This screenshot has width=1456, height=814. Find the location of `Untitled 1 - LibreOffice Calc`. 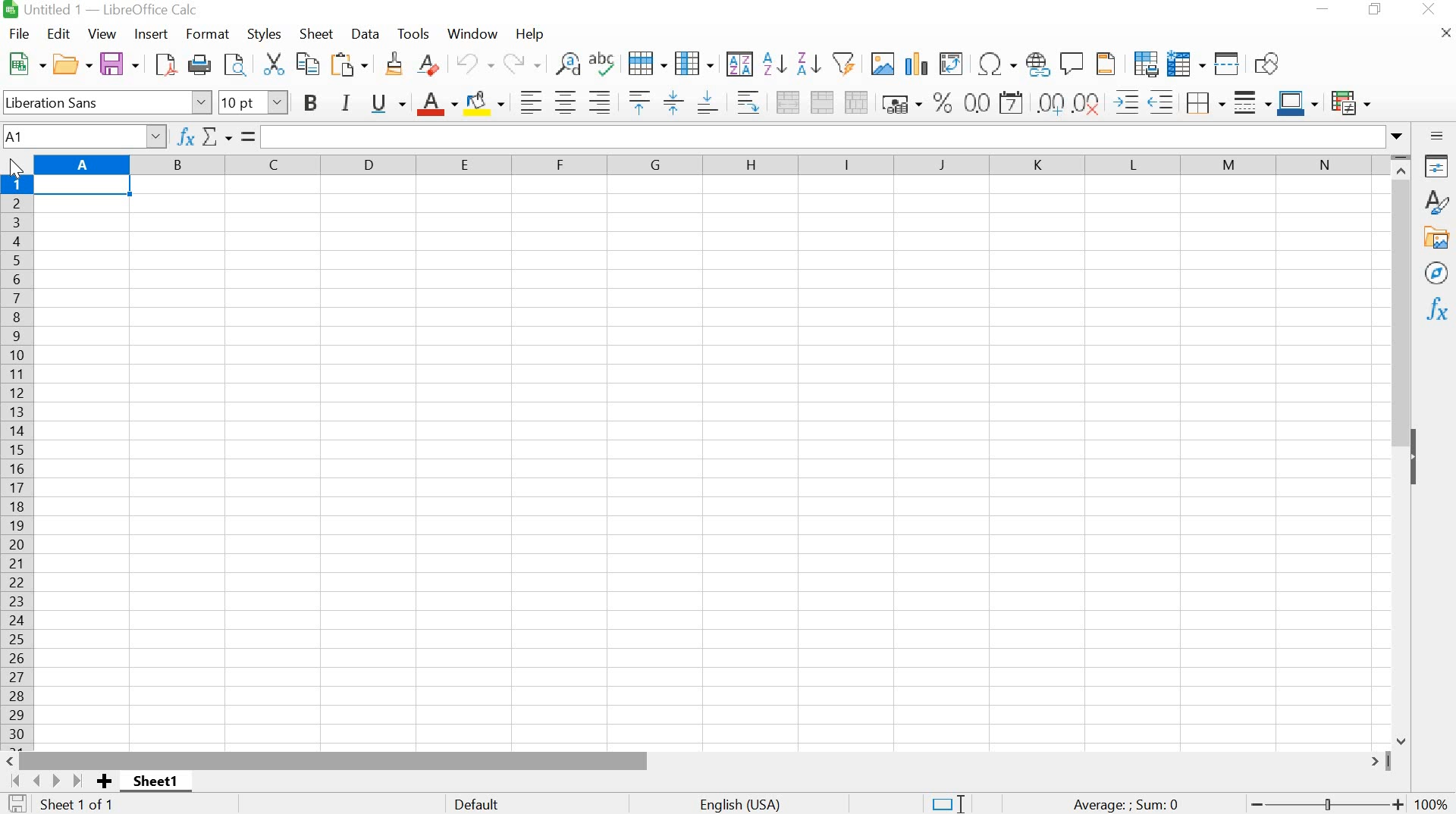

Untitled 1 - LibreOffice Calc is located at coordinates (111, 11).